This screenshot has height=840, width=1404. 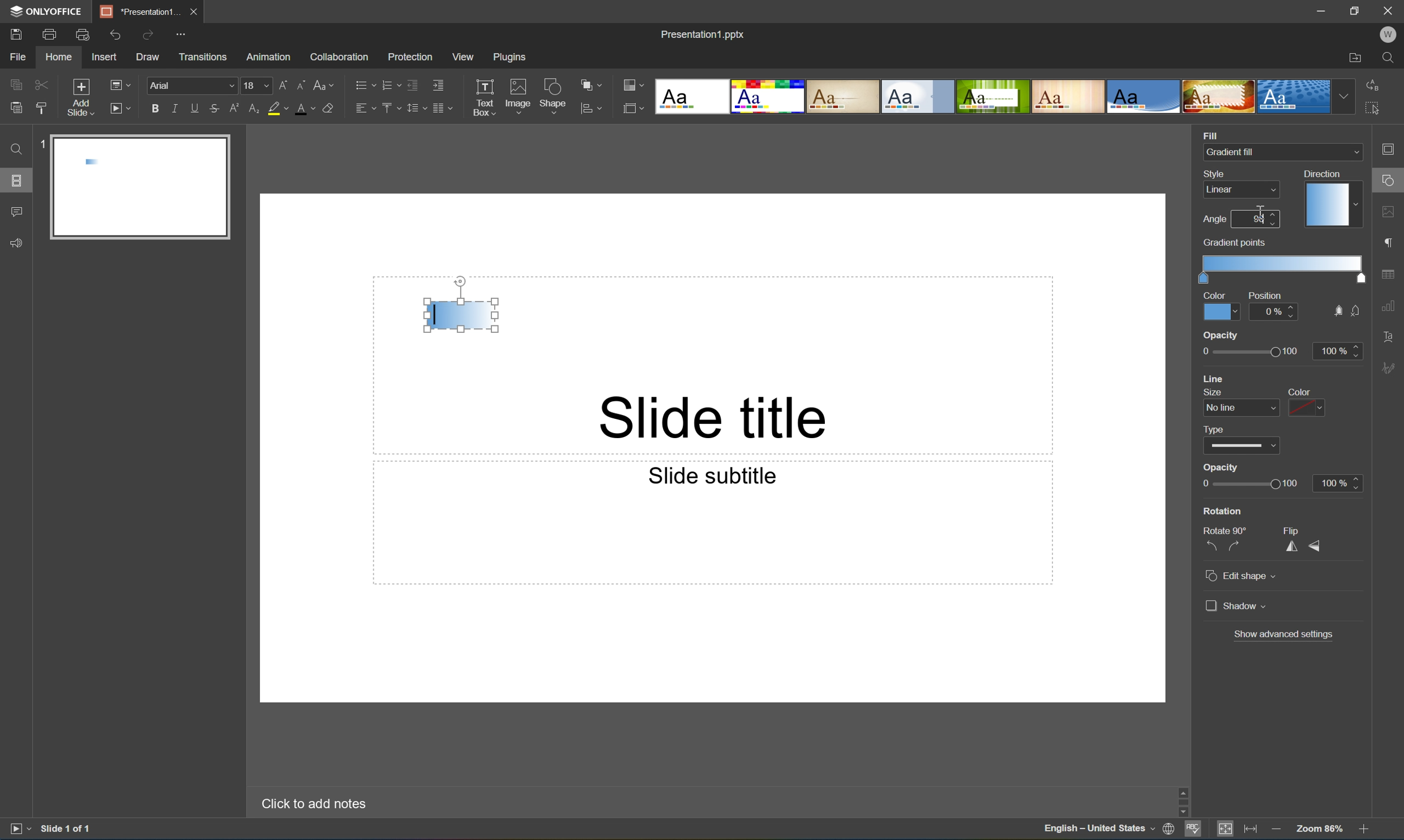 I want to click on Scroll Up, so click(x=1363, y=786).